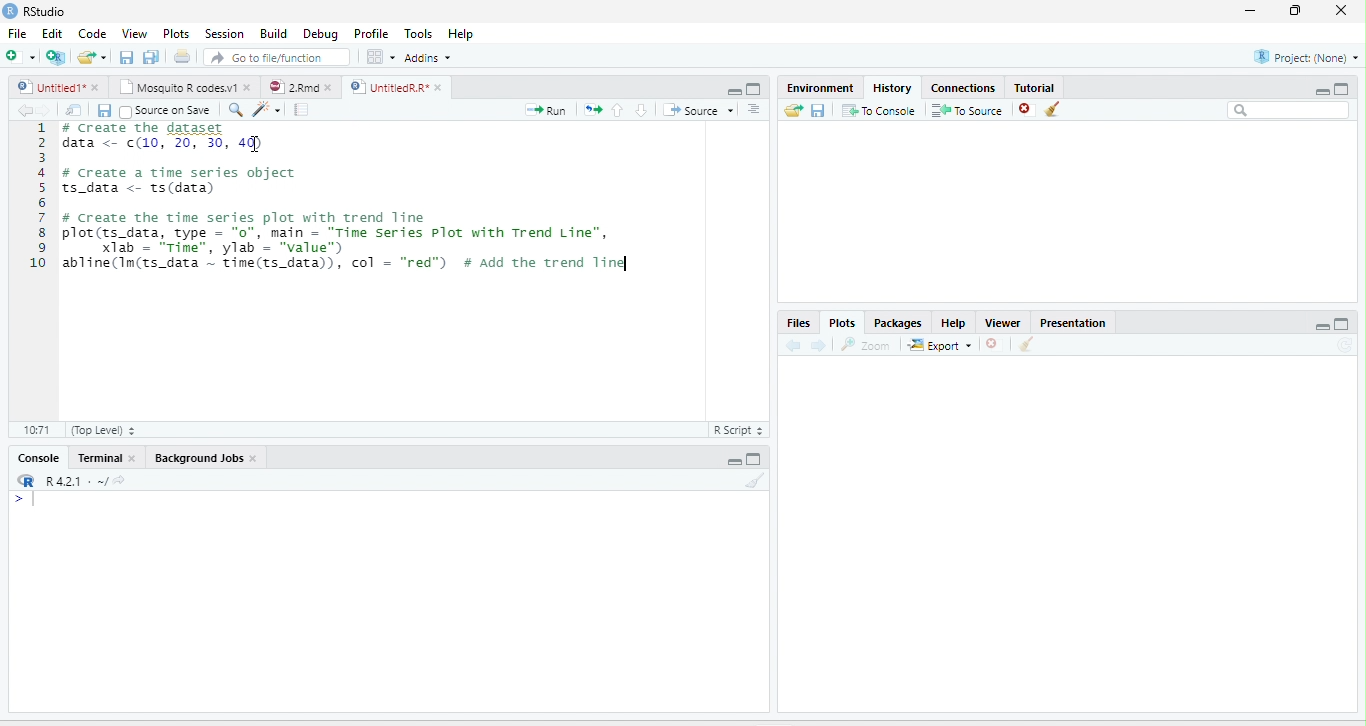 The width and height of the screenshot is (1366, 726). I want to click on Packages, so click(897, 322).